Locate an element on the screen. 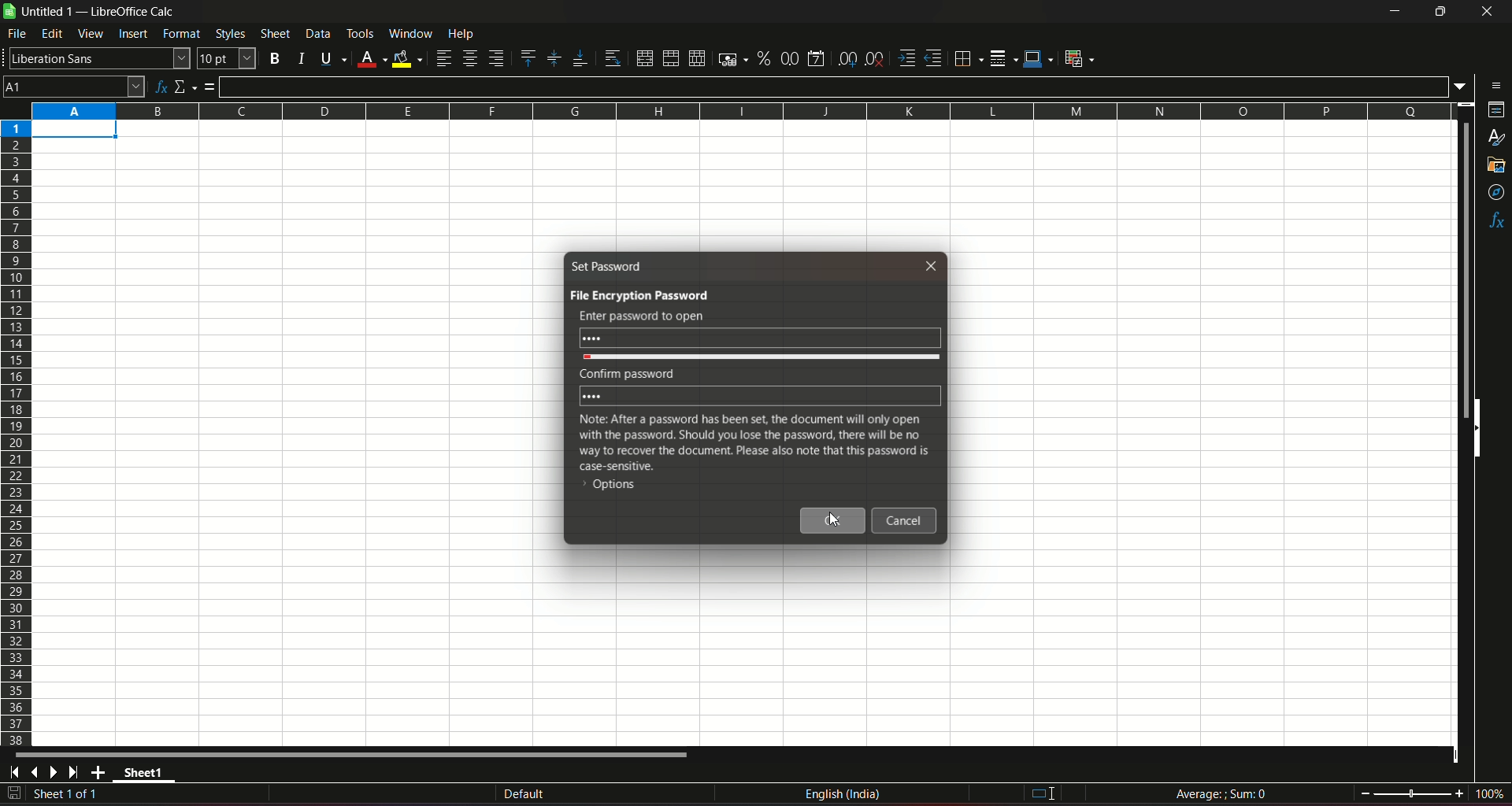  select function is located at coordinates (186, 85).